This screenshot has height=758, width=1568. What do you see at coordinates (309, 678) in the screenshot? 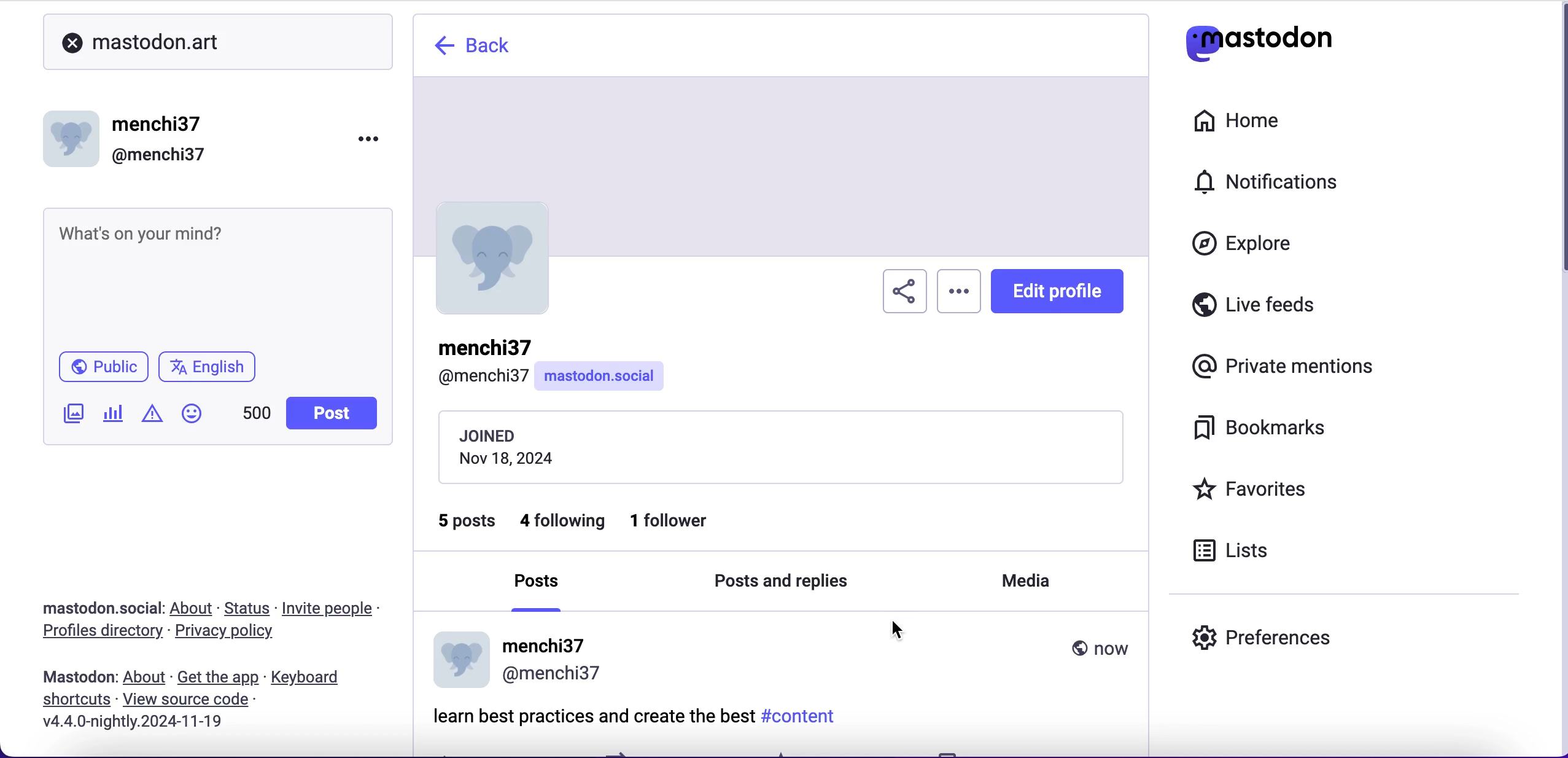
I see `keyboard` at bounding box center [309, 678].